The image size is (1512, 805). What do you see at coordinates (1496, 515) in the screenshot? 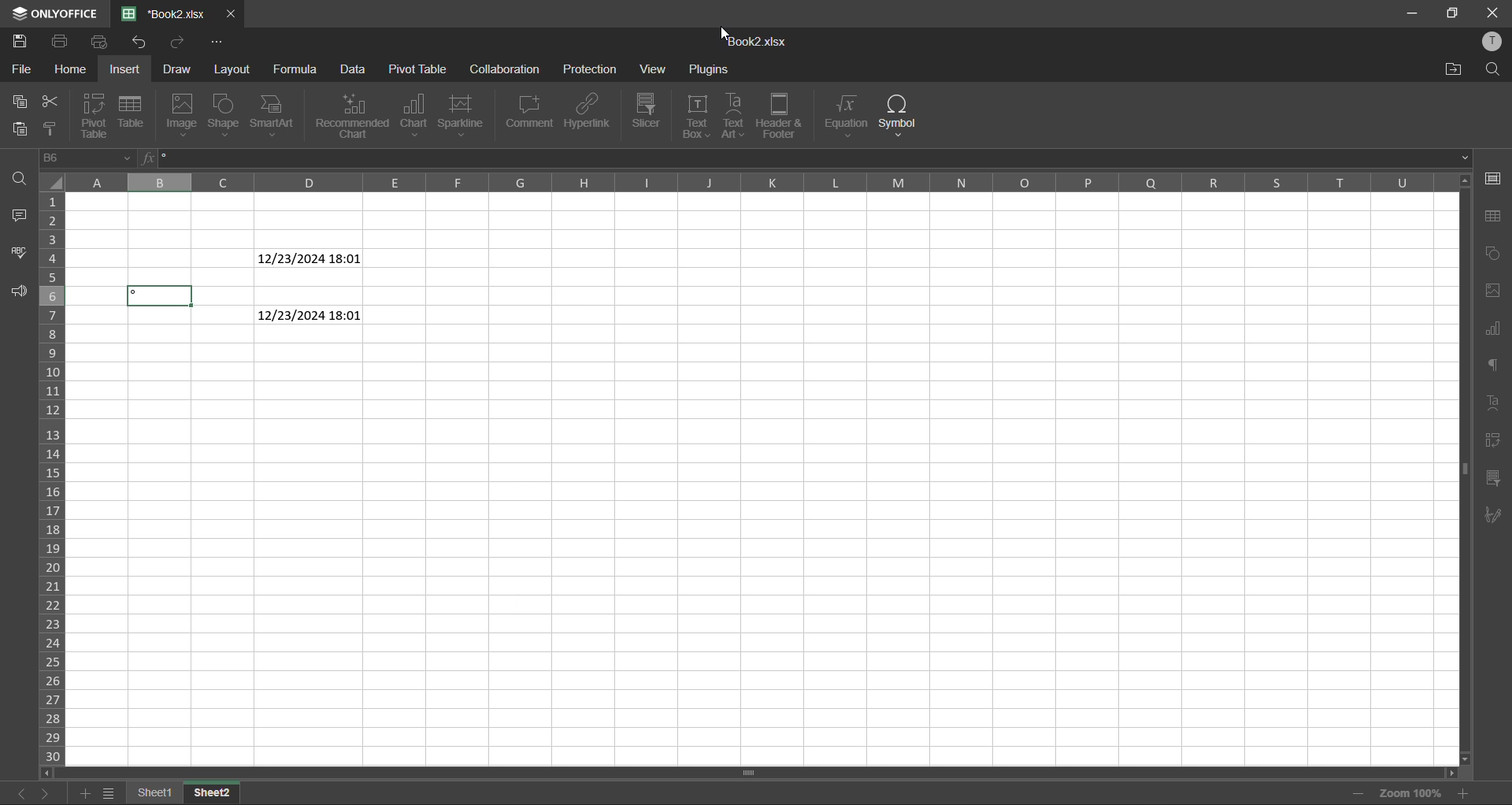
I see `signature` at bounding box center [1496, 515].